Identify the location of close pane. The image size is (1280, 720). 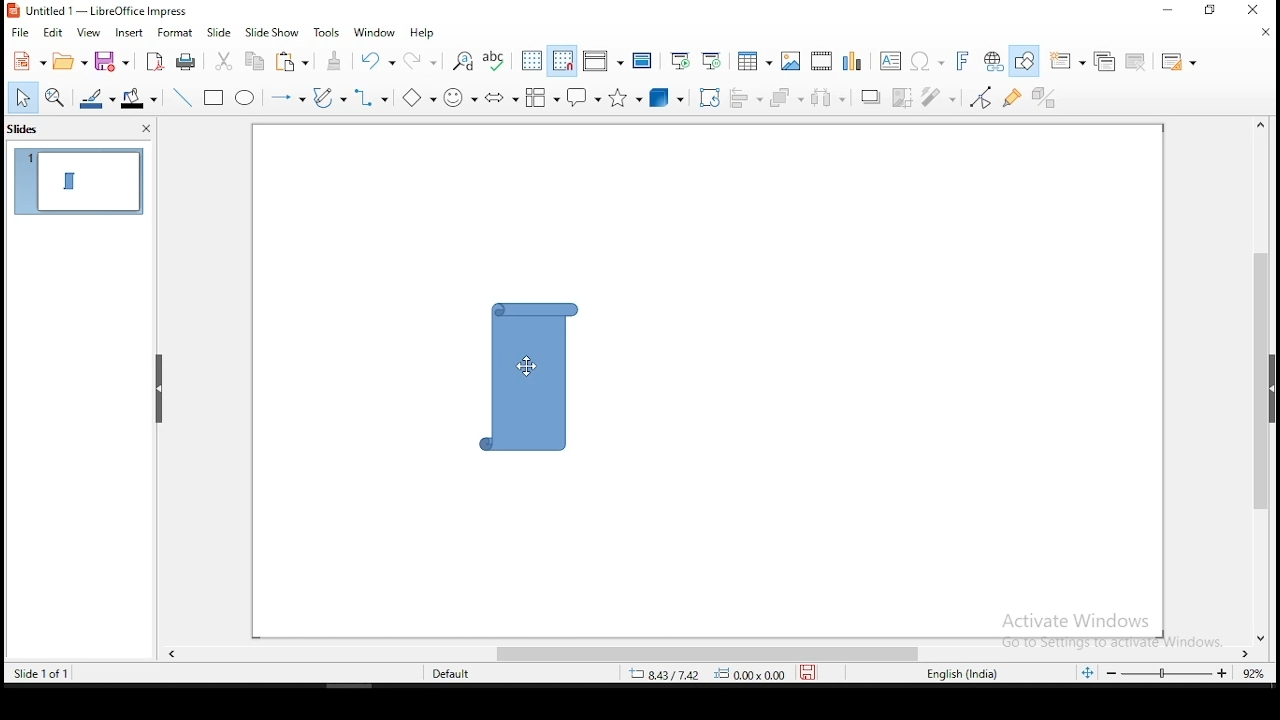
(145, 131).